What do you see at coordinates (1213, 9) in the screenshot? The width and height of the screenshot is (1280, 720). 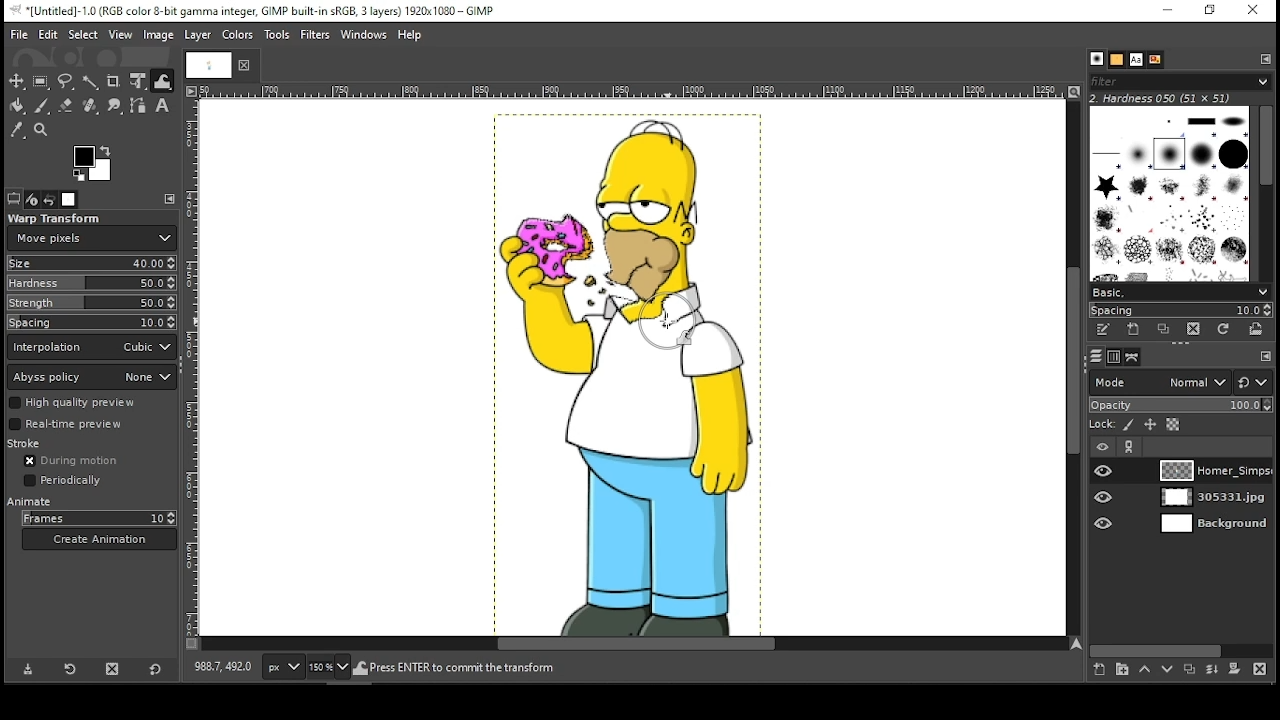 I see `restore` at bounding box center [1213, 9].